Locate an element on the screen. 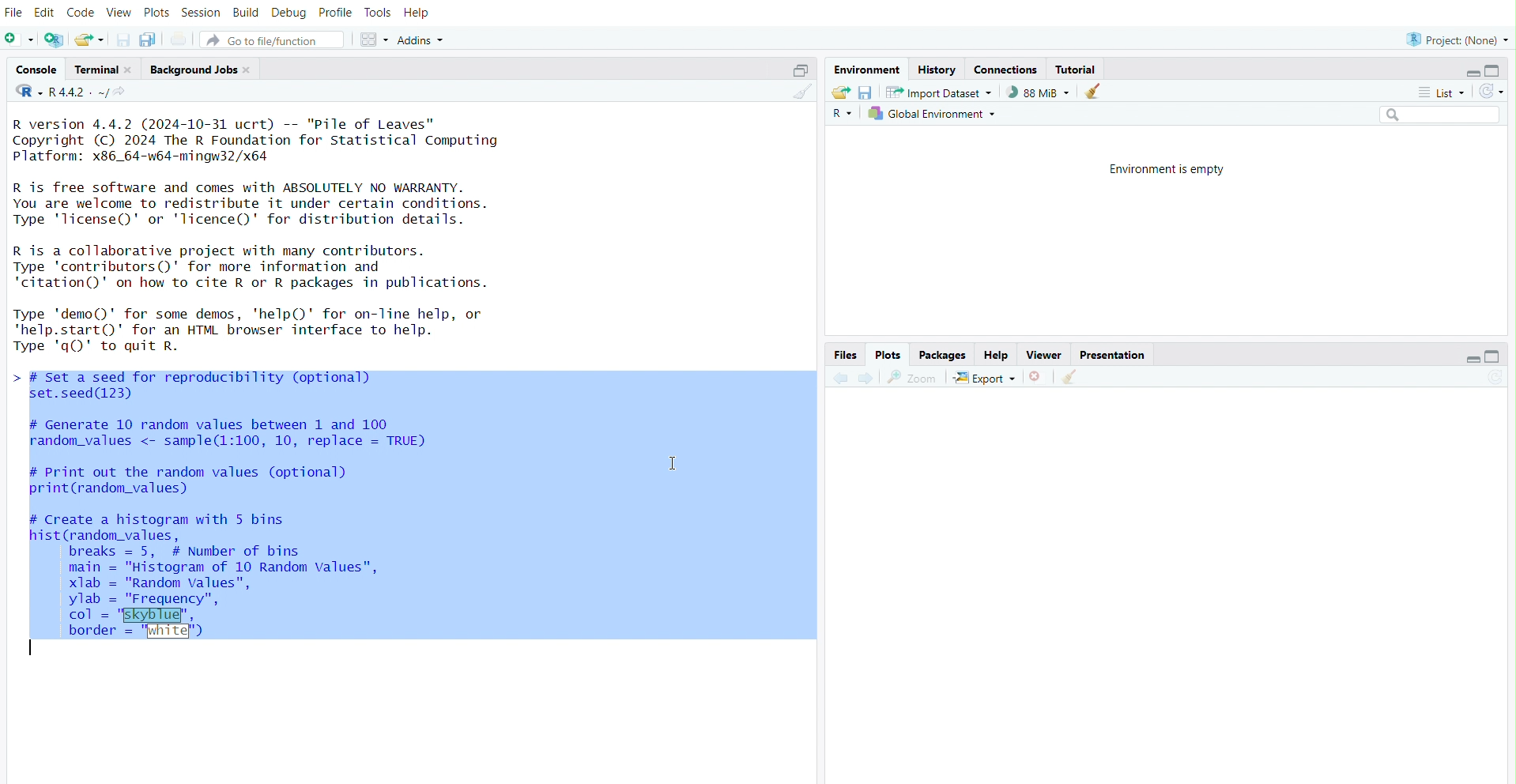  remove the current plot is located at coordinates (1038, 379).